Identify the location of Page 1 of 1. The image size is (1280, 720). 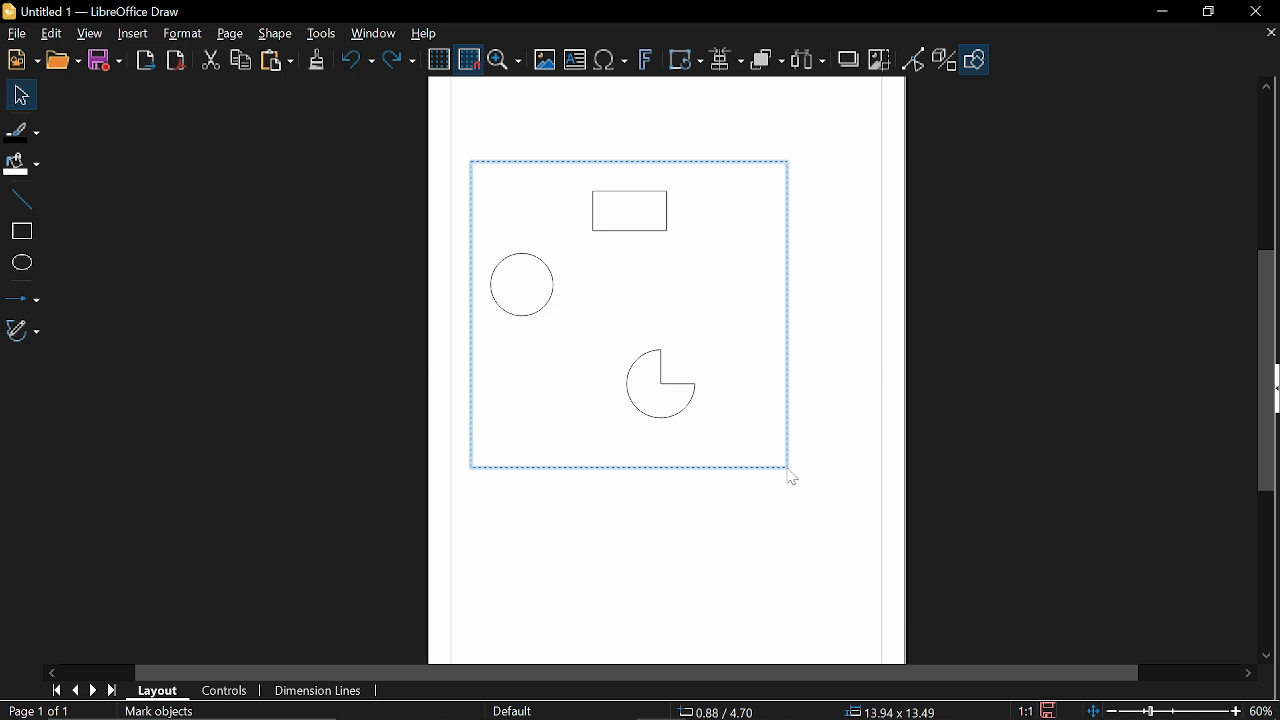
(38, 711).